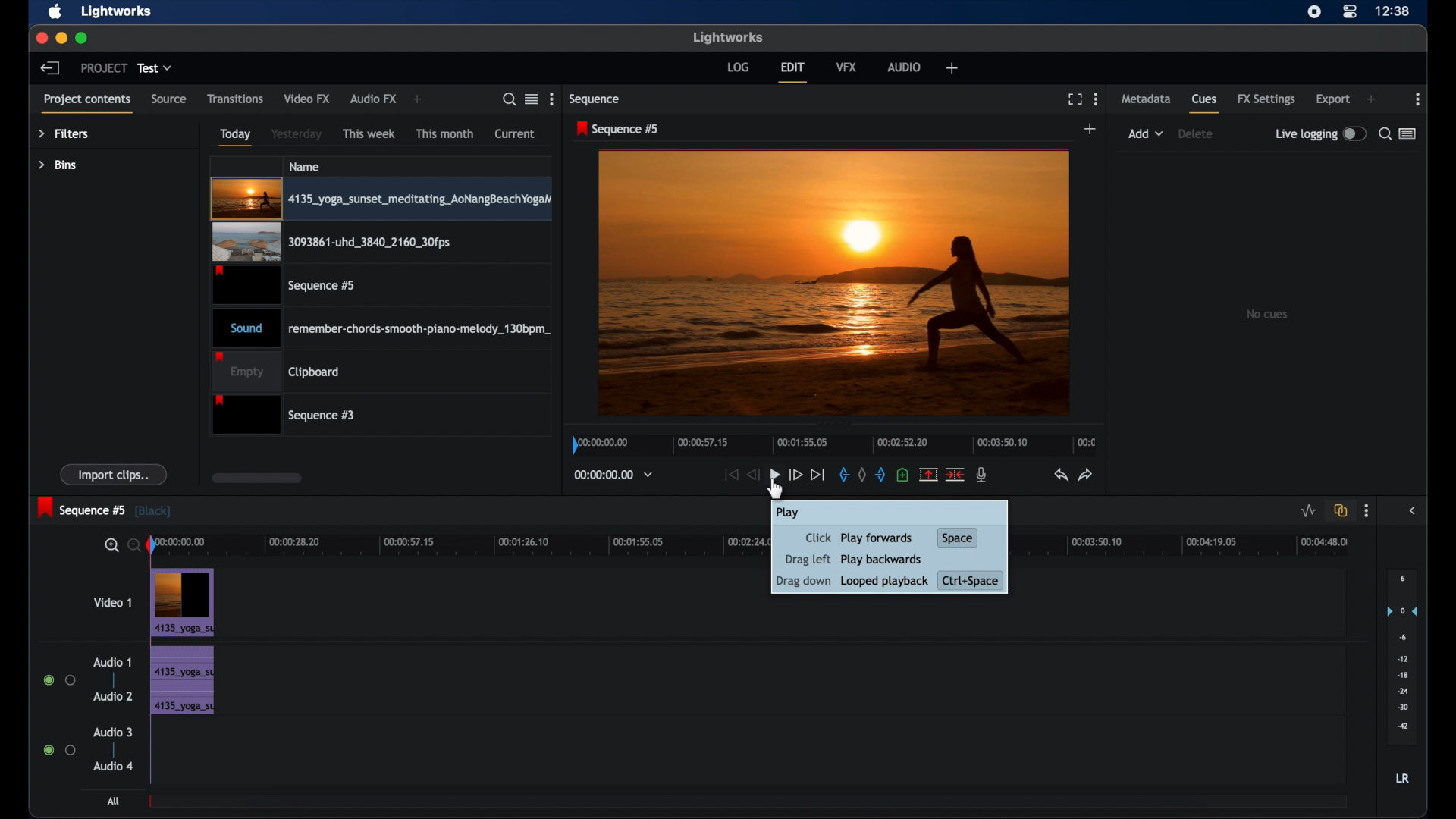 This screenshot has height=819, width=1456. Describe the element at coordinates (181, 603) in the screenshot. I see `Video Clip` at that location.